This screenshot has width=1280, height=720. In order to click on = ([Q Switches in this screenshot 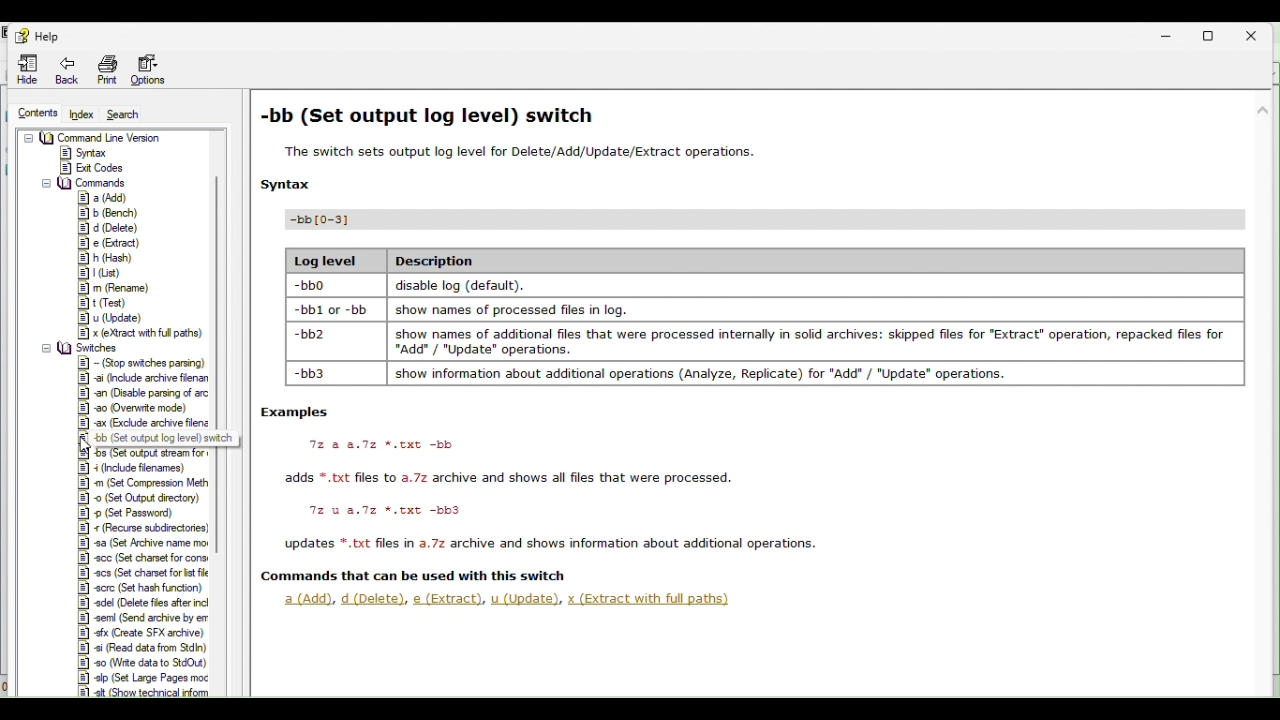, I will do `click(85, 347)`.